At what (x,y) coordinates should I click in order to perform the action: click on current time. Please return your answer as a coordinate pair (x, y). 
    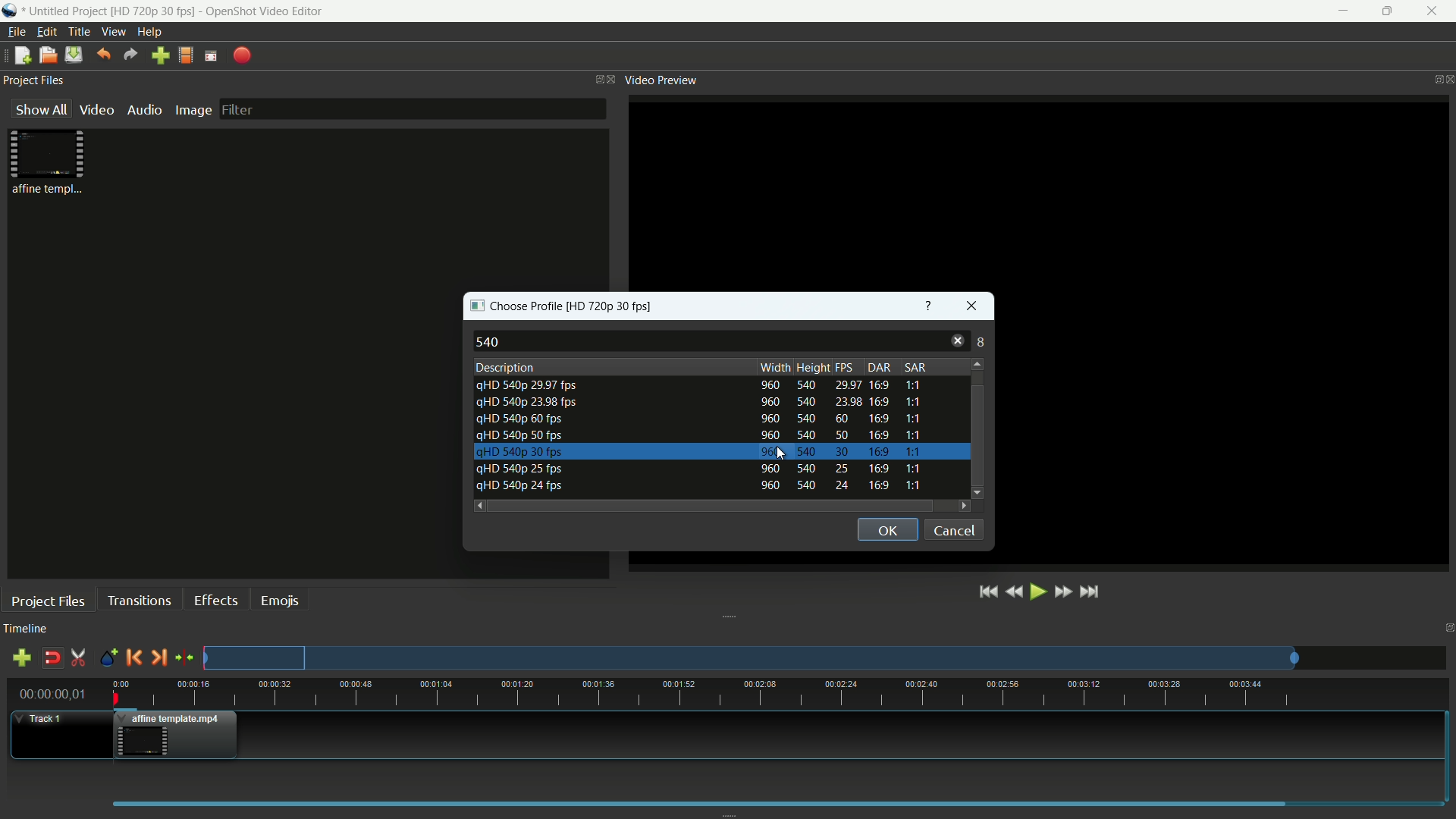
    Looking at the image, I should click on (51, 694).